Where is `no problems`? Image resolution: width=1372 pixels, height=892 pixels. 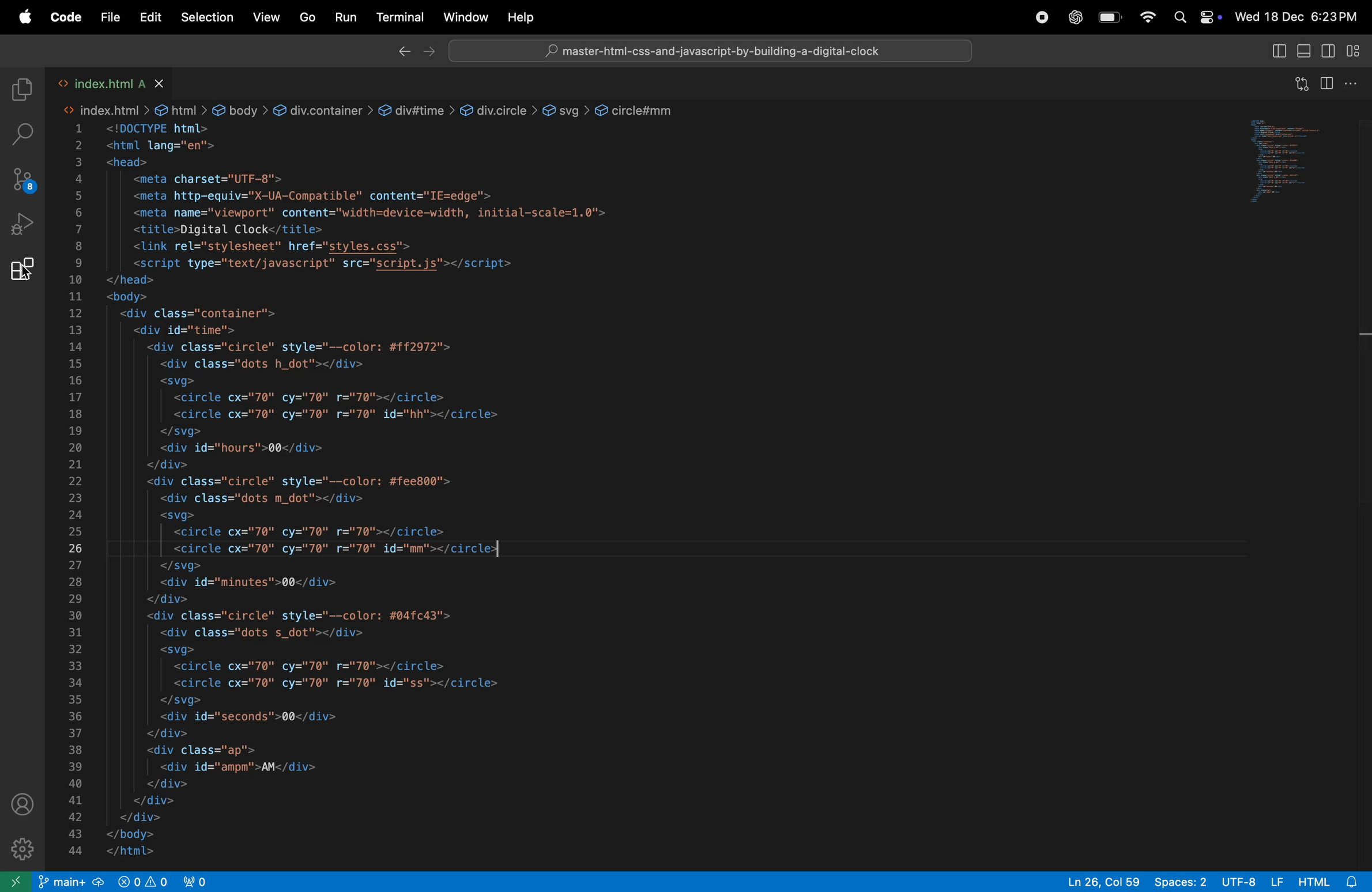 no problems is located at coordinates (141, 881).